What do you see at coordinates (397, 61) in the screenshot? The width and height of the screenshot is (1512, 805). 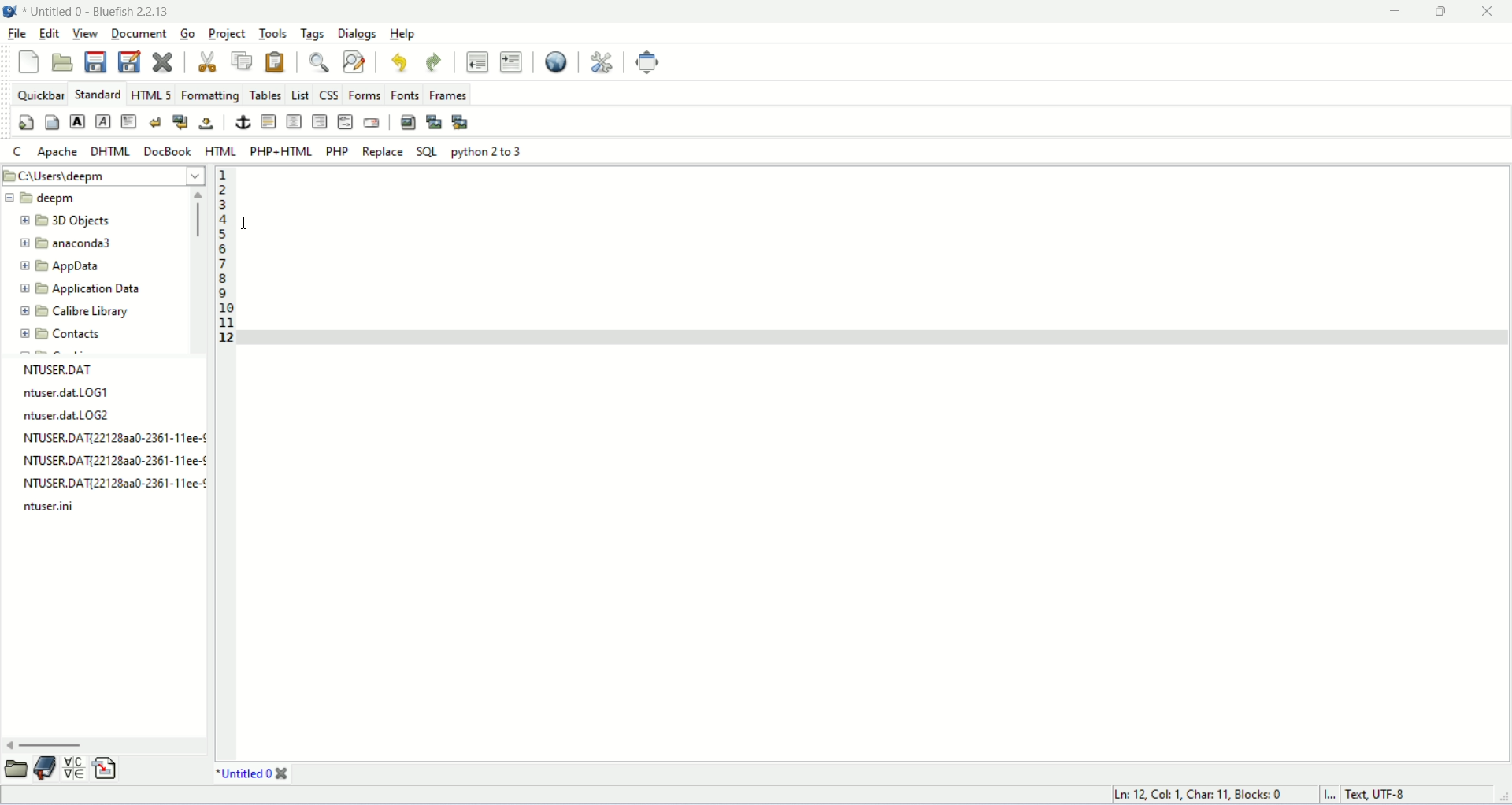 I see `undo` at bounding box center [397, 61].